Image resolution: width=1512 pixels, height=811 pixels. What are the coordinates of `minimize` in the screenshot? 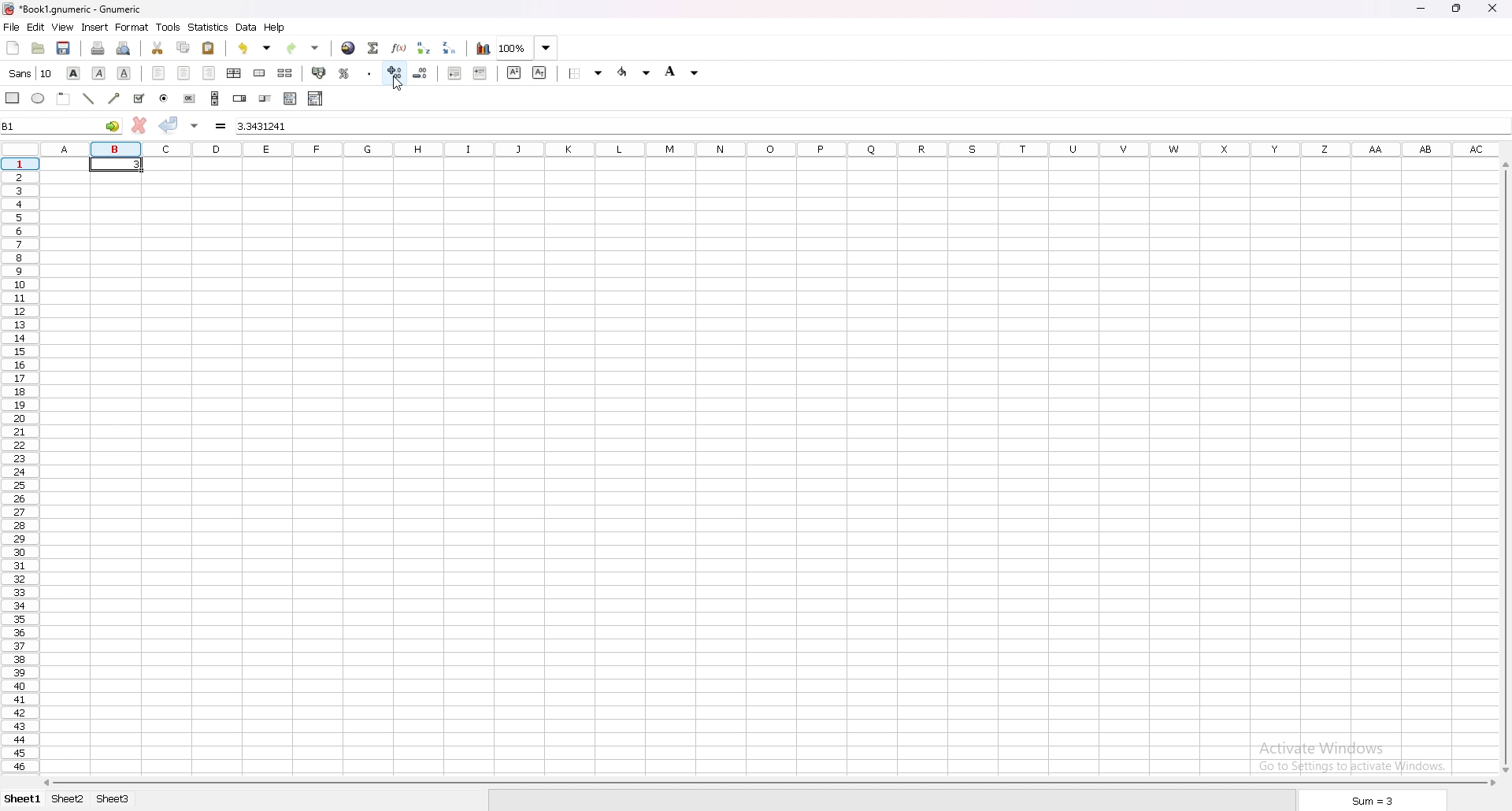 It's located at (1421, 8).